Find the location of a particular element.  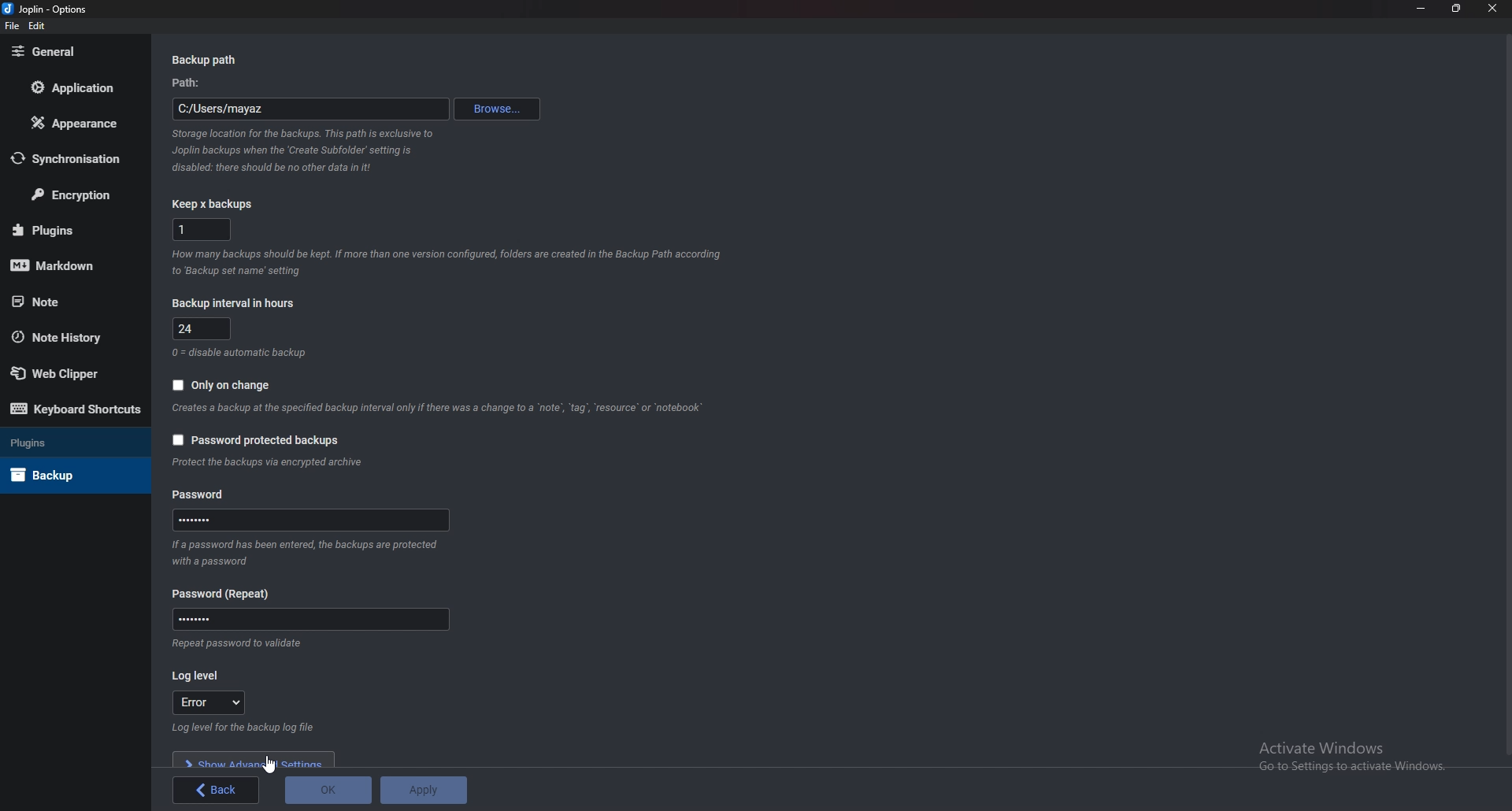

path is located at coordinates (312, 109).